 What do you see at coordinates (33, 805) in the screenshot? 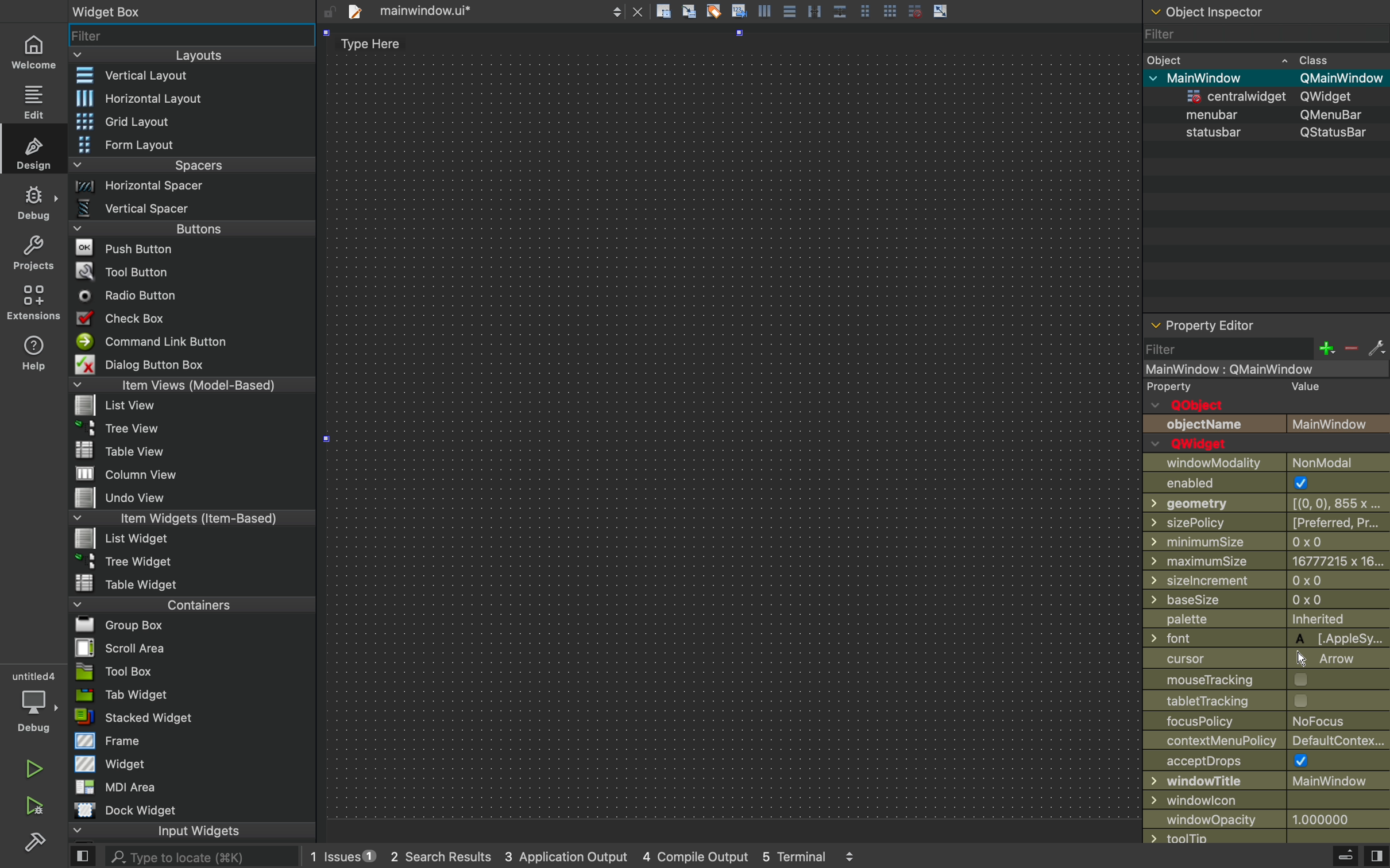
I see `build and run` at bounding box center [33, 805].